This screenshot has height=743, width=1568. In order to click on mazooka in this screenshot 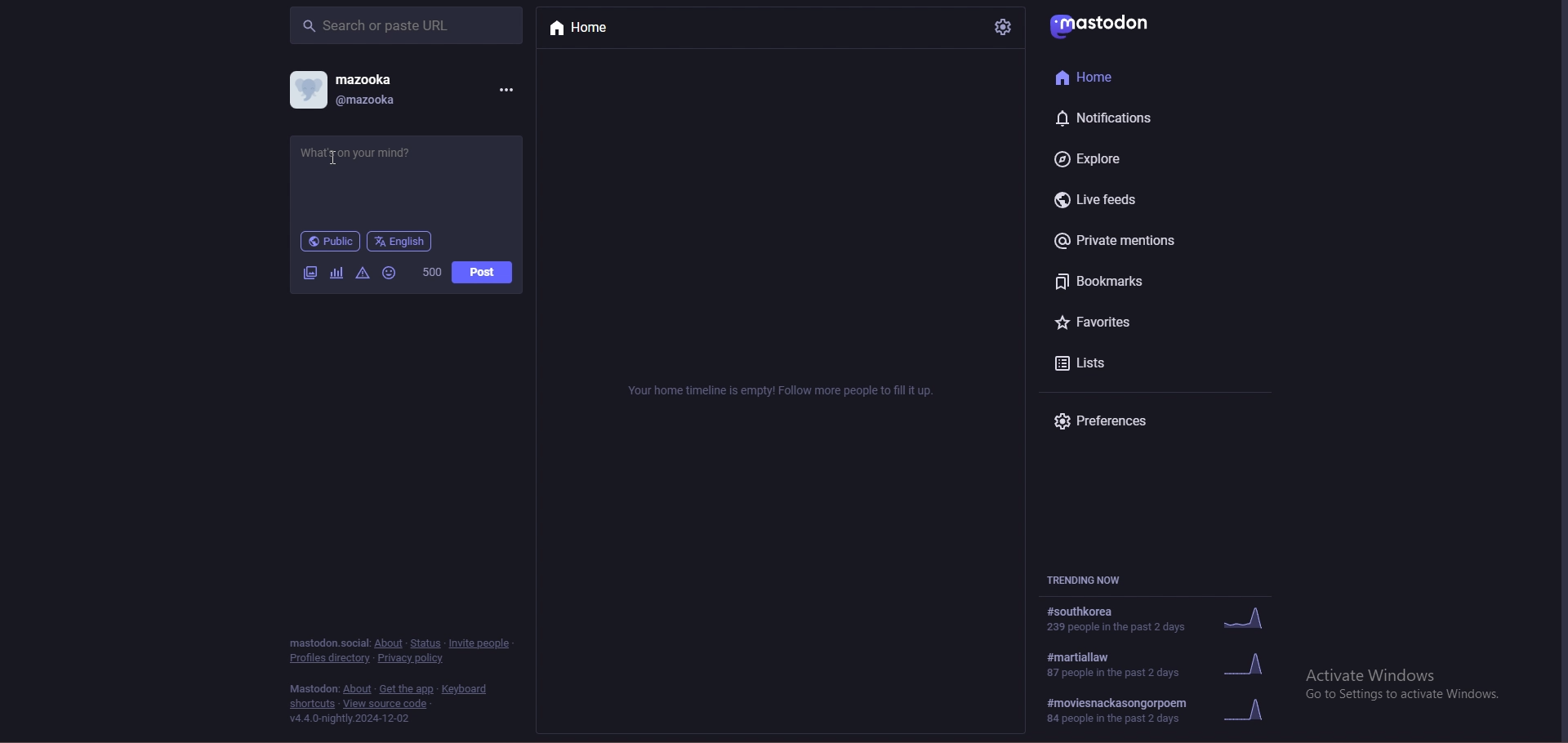, I will do `click(367, 78)`.